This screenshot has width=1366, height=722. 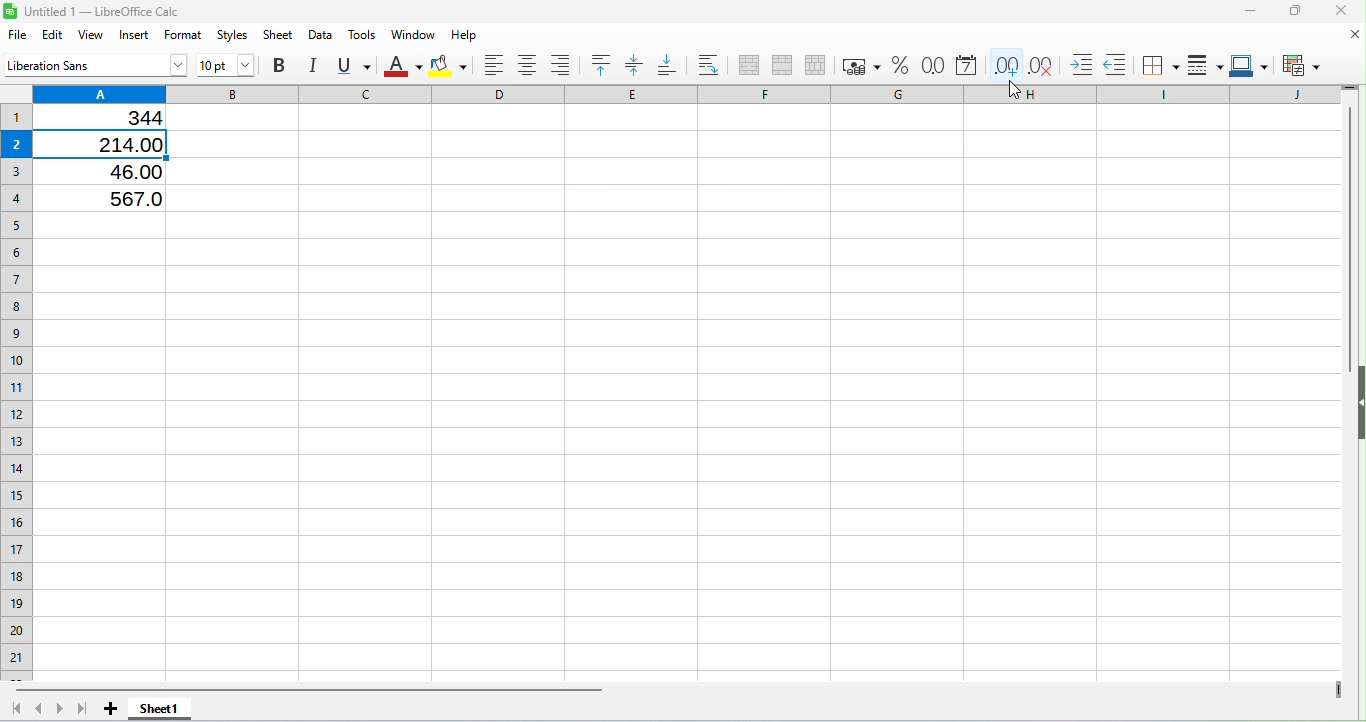 I want to click on Merge cells, so click(x=780, y=64).